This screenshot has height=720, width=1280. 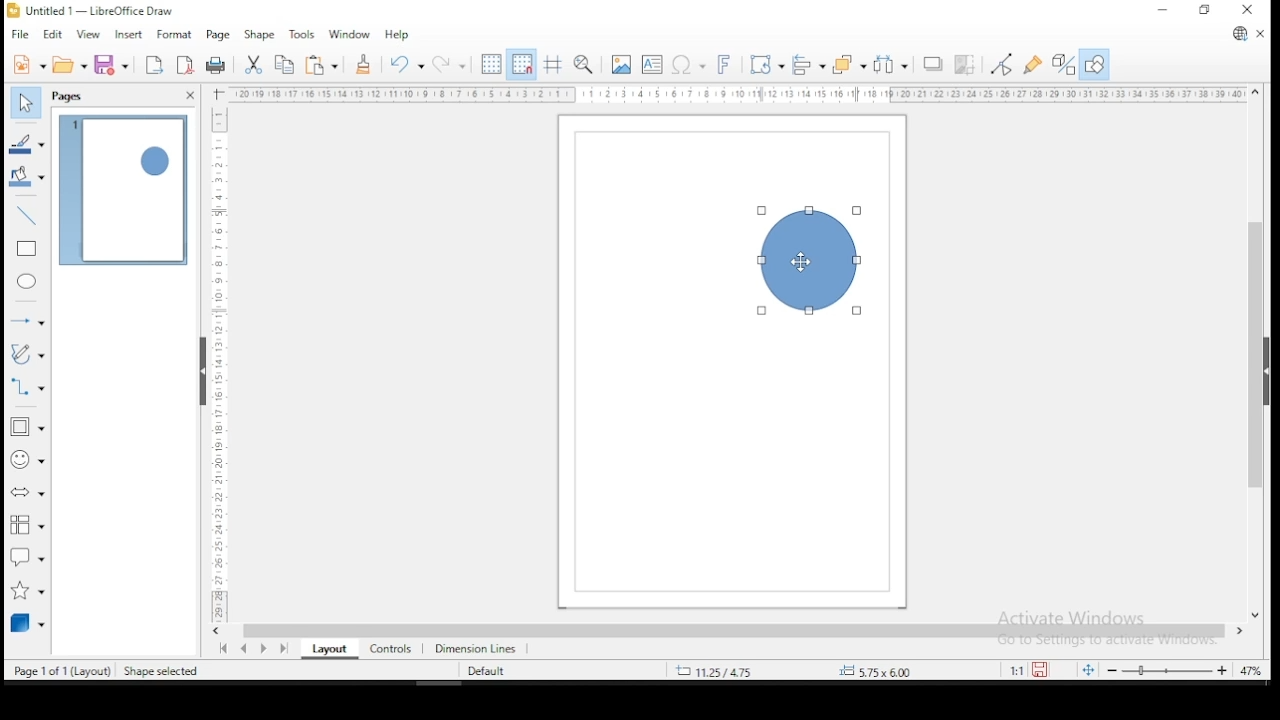 I want to click on last page, so click(x=287, y=647).